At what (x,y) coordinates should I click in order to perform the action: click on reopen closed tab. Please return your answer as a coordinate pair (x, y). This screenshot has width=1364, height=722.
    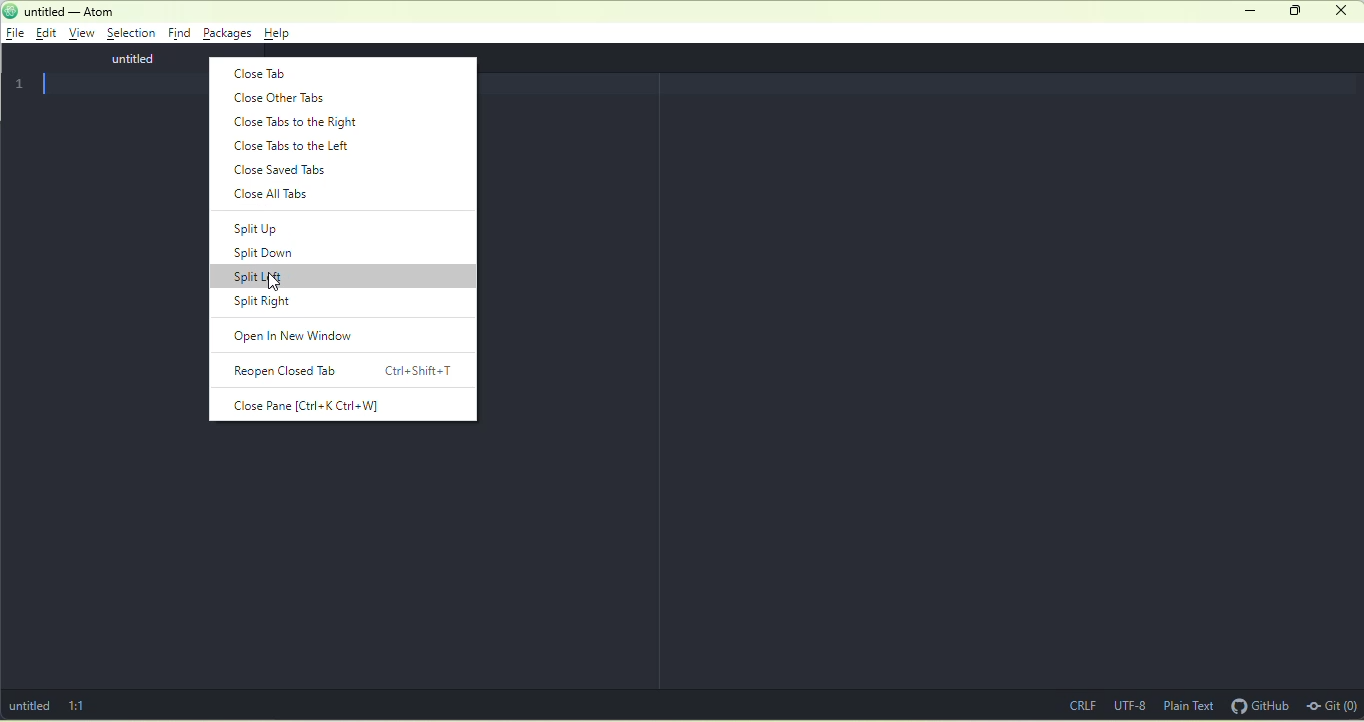
    Looking at the image, I should click on (345, 372).